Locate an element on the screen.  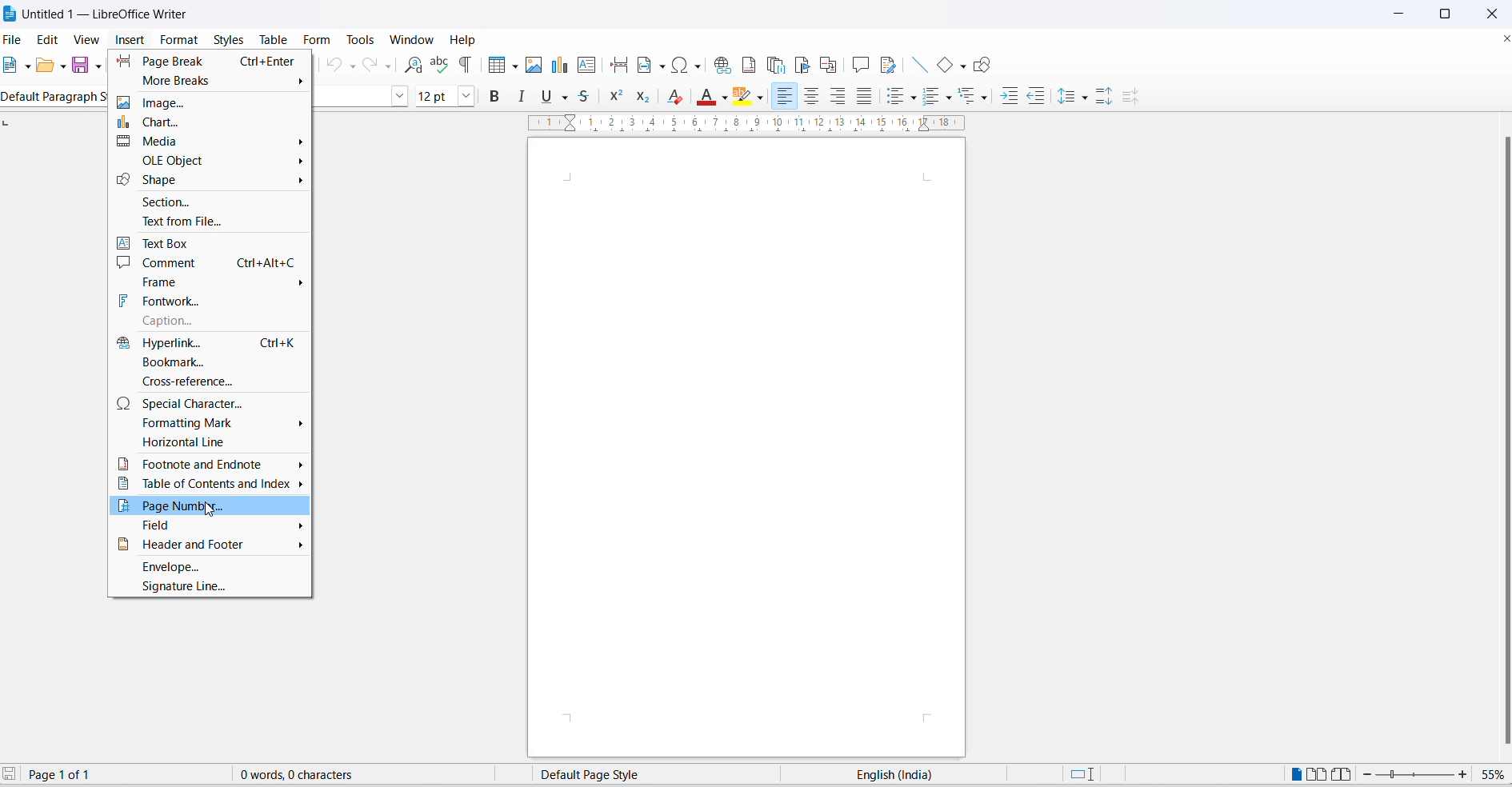
font name options is located at coordinates (398, 95).